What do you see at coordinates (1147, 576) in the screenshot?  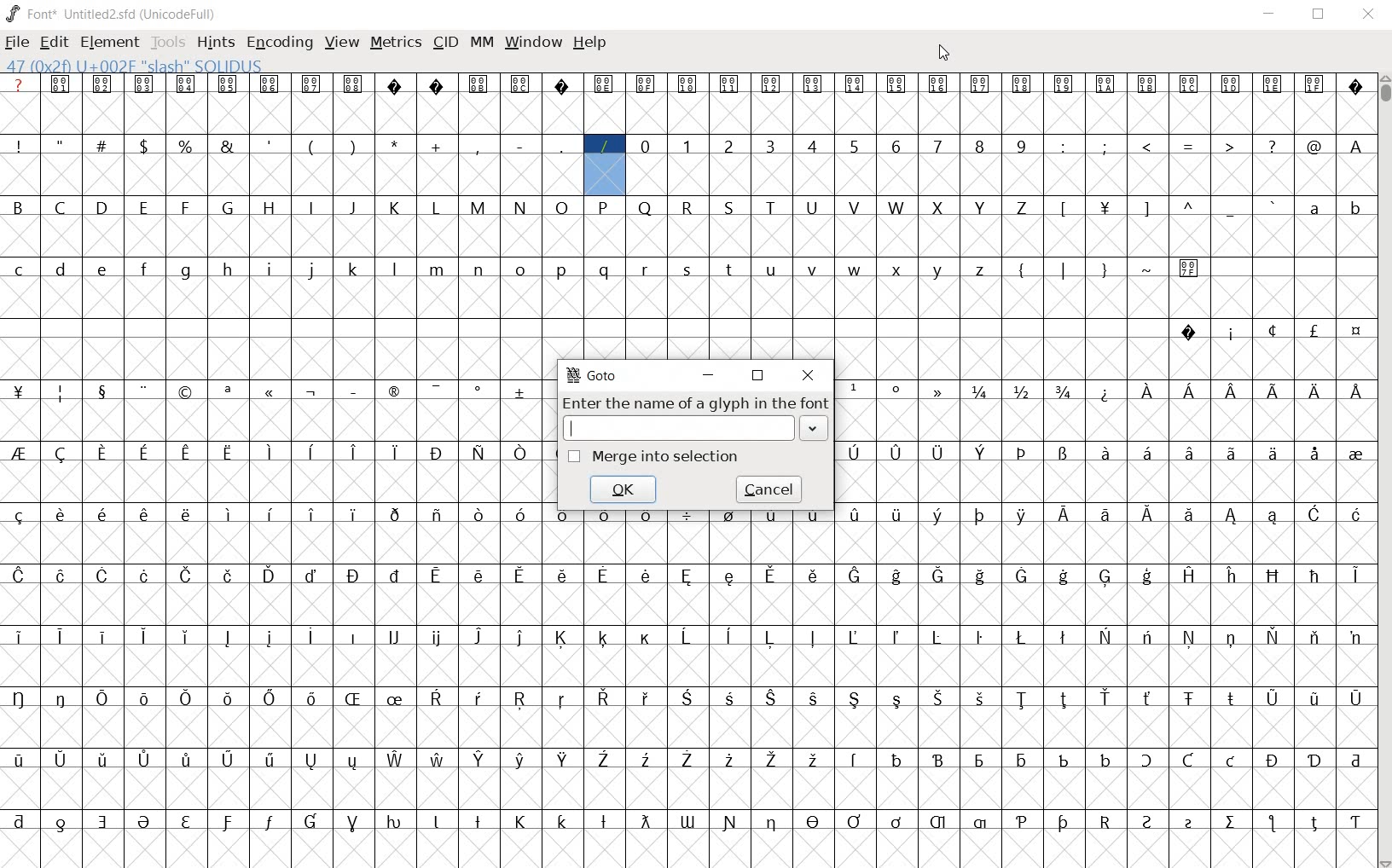 I see `glyph` at bounding box center [1147, 576].